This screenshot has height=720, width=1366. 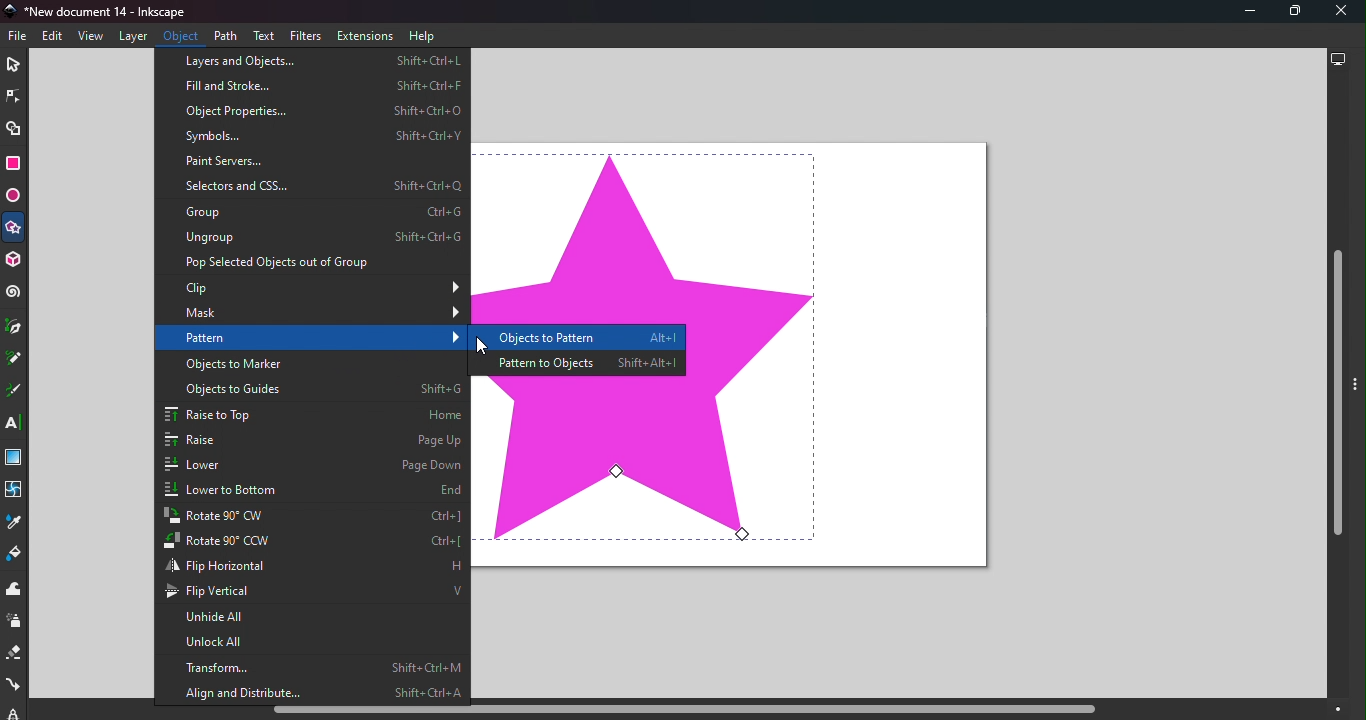 What do you see at coordinates (13, 166) in the screenshot?
I see `Rectangle tool` at bounding box center [13, 166].